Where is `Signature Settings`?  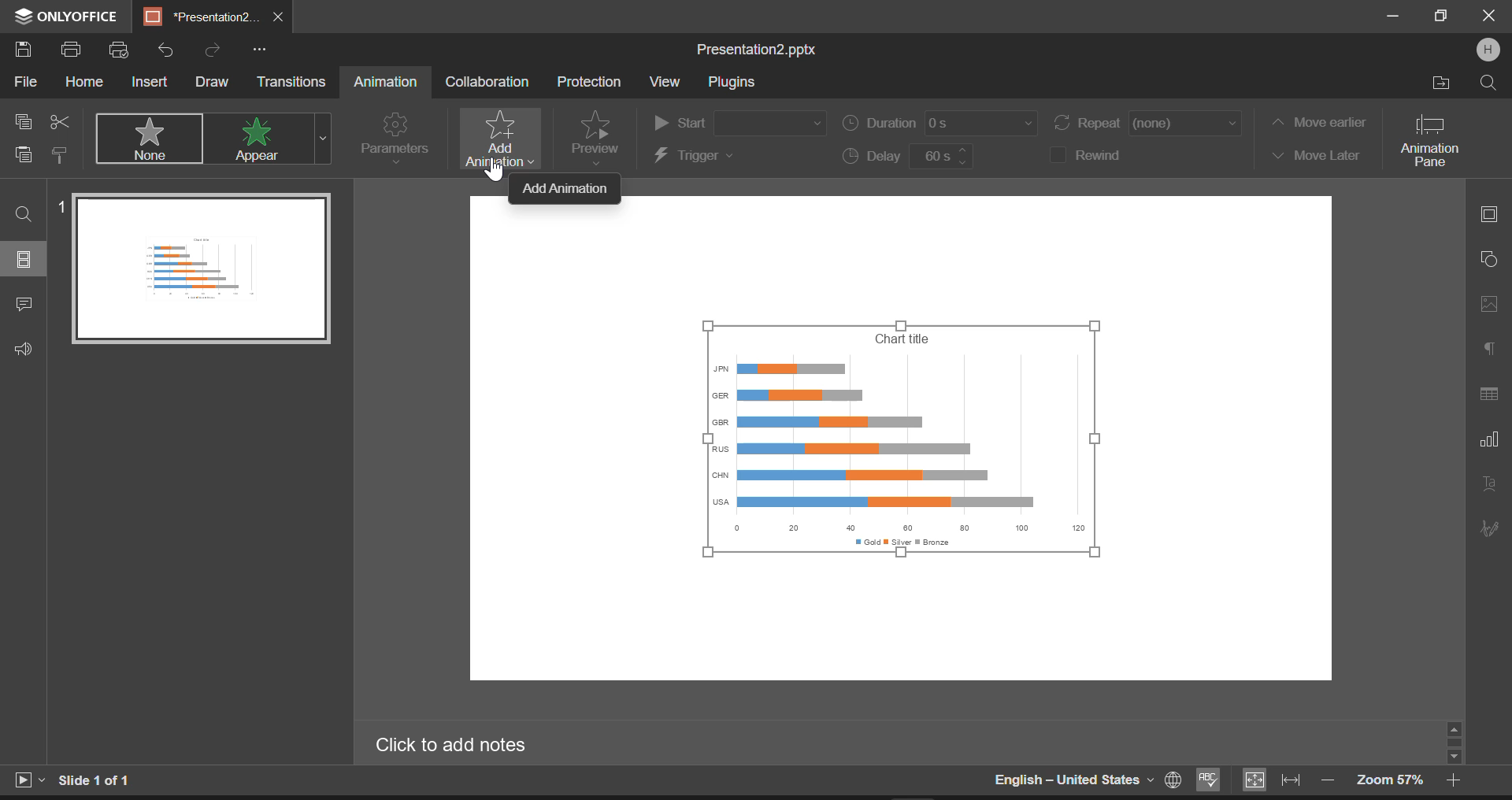
Signature Settings is located at coordinates (1488, 528).